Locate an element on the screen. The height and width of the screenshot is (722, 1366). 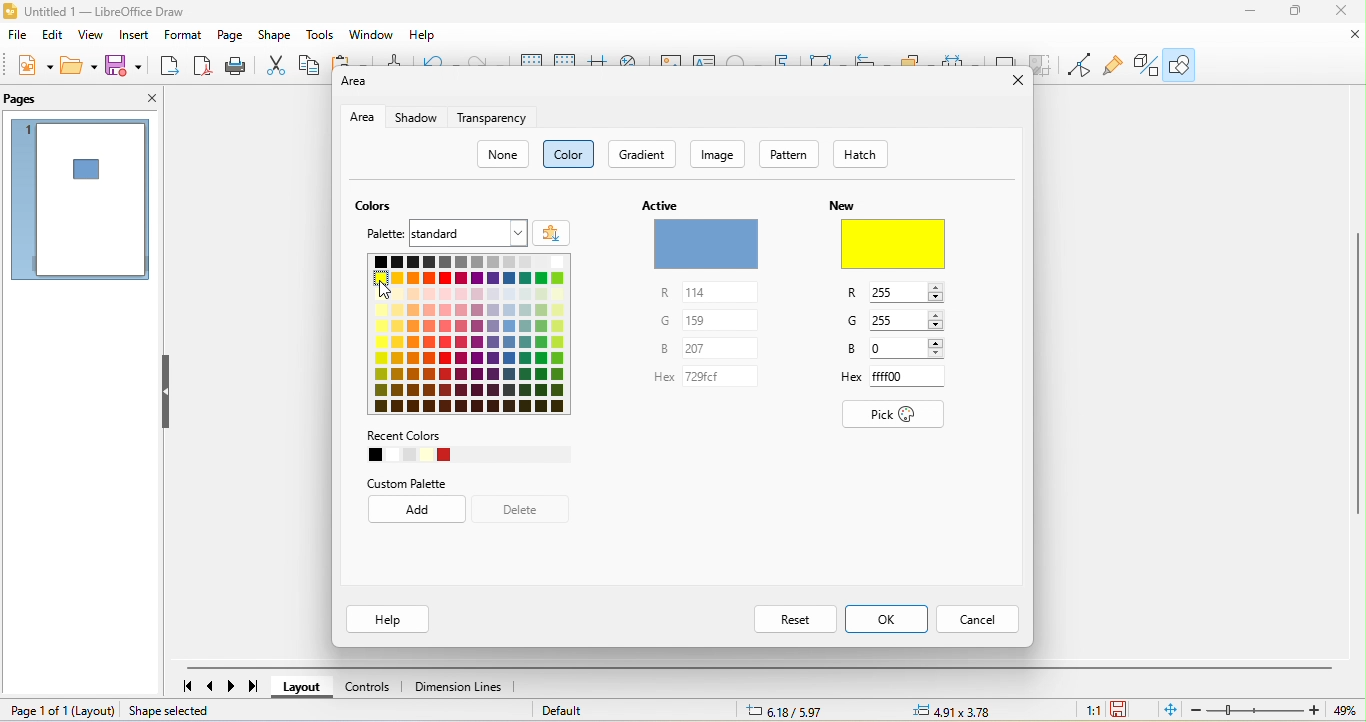
recent colors is located at coordinates (467, 447).